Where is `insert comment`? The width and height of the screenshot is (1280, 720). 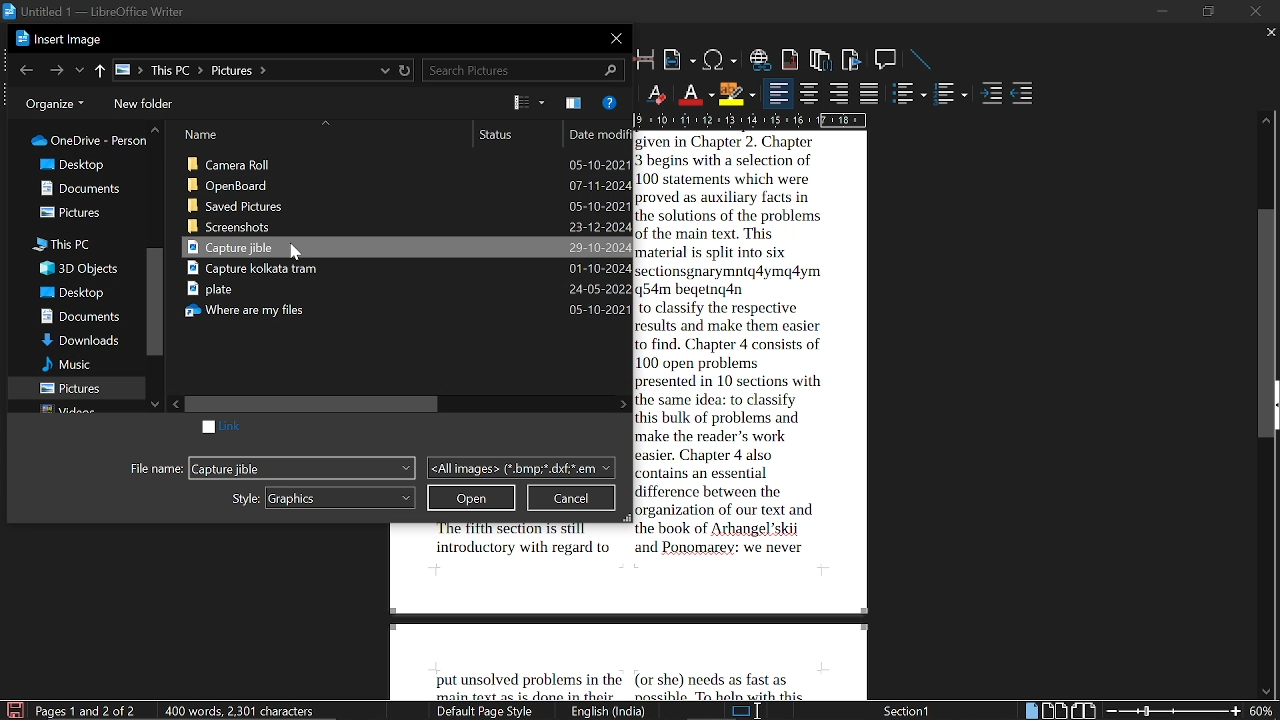 insert comment is located at coordinates (887, 59).